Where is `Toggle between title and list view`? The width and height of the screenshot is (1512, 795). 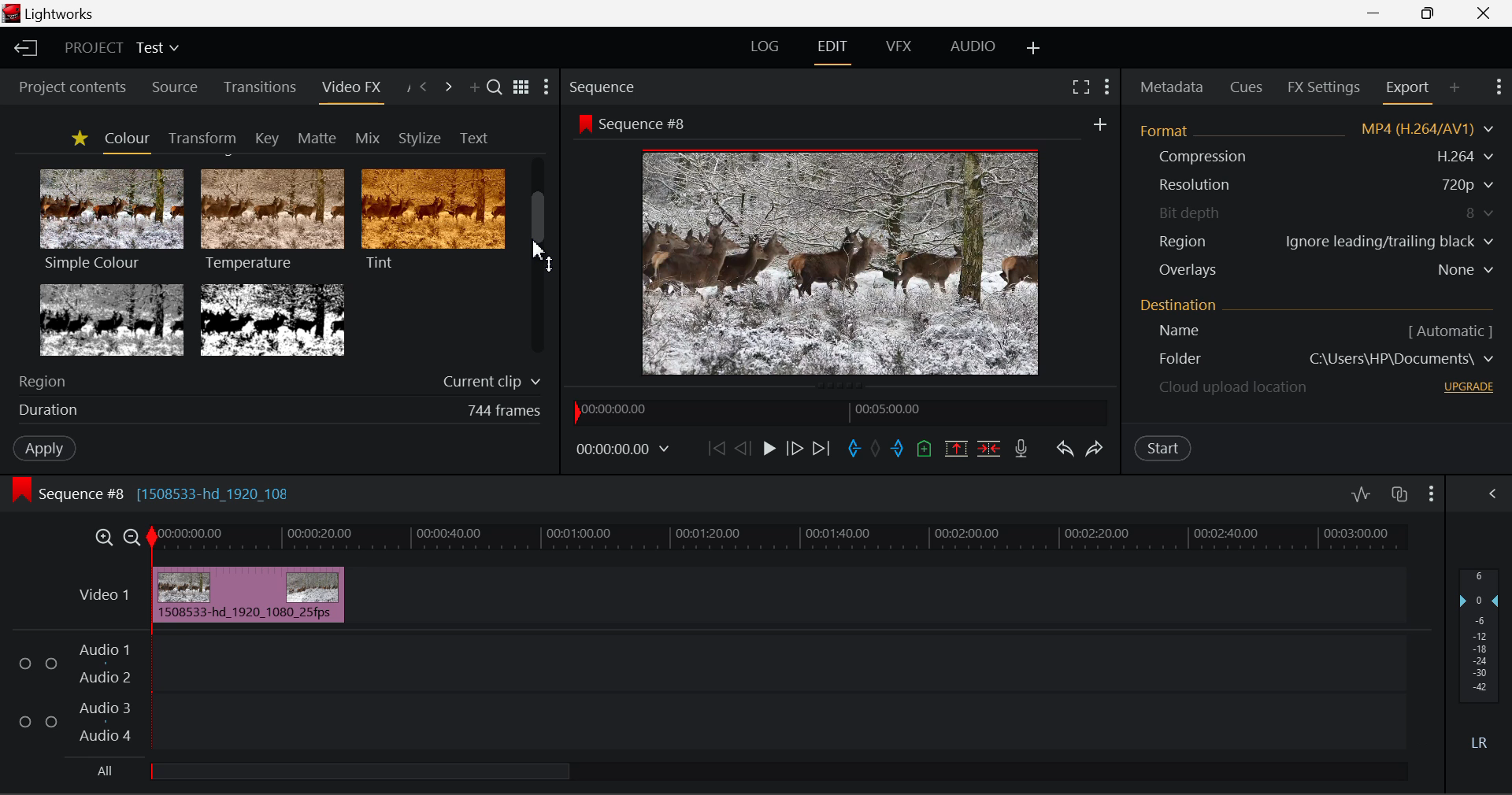 Toggle between title and list view is located at coordinates (523, 88).